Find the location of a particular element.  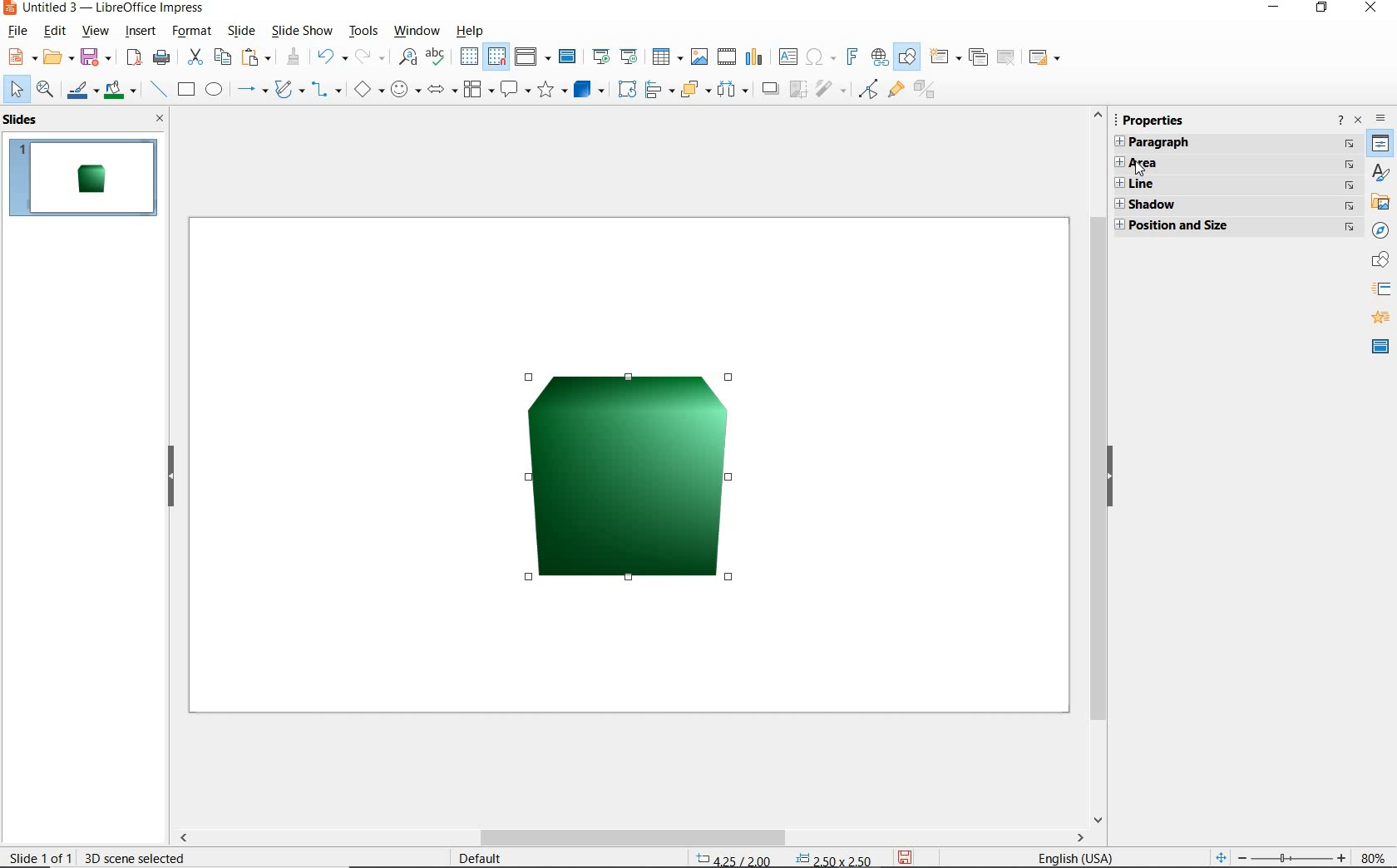

TOGGLE EXTRUSION is located at coordinates (926, 91).